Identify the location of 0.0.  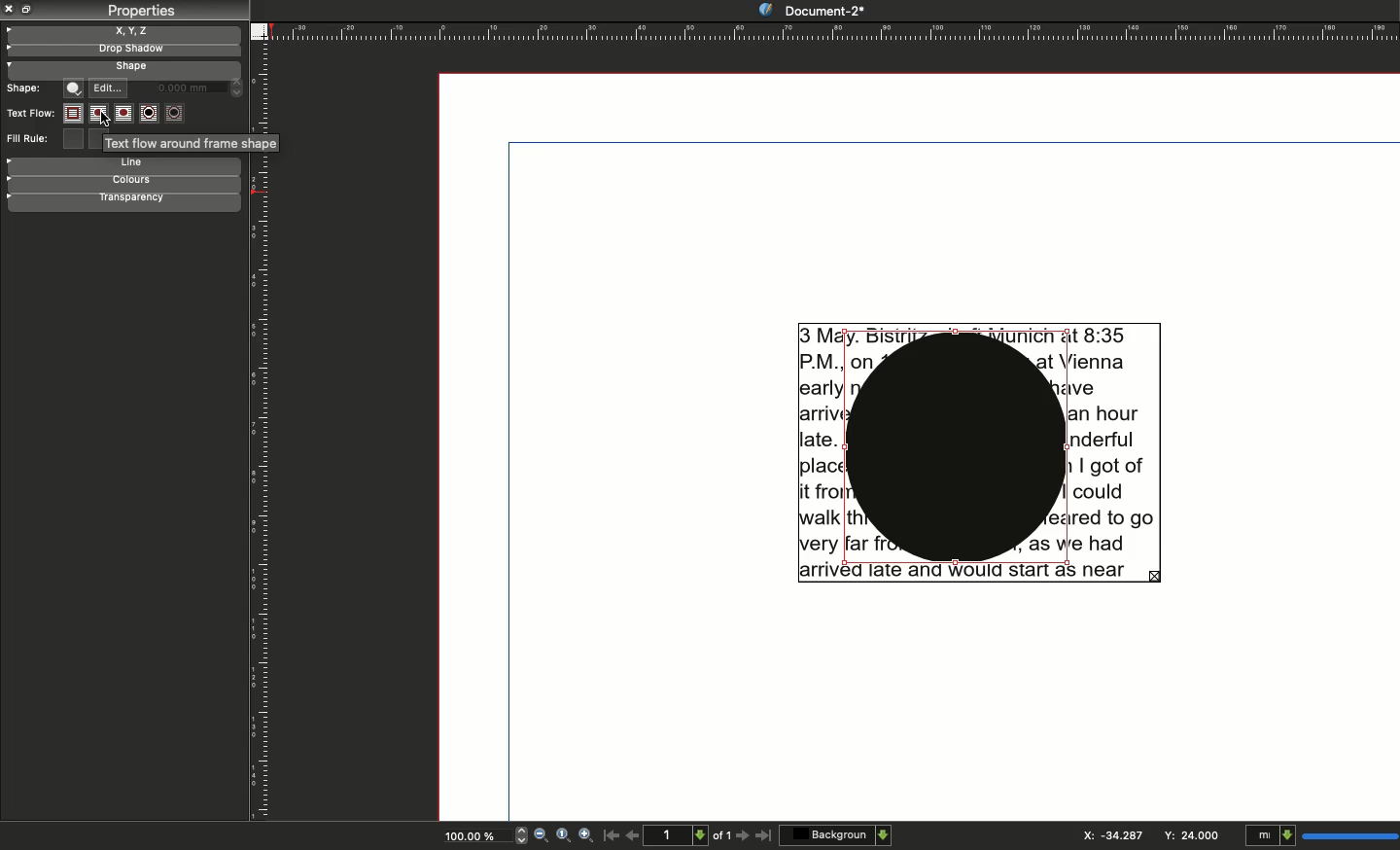
(196, 85).